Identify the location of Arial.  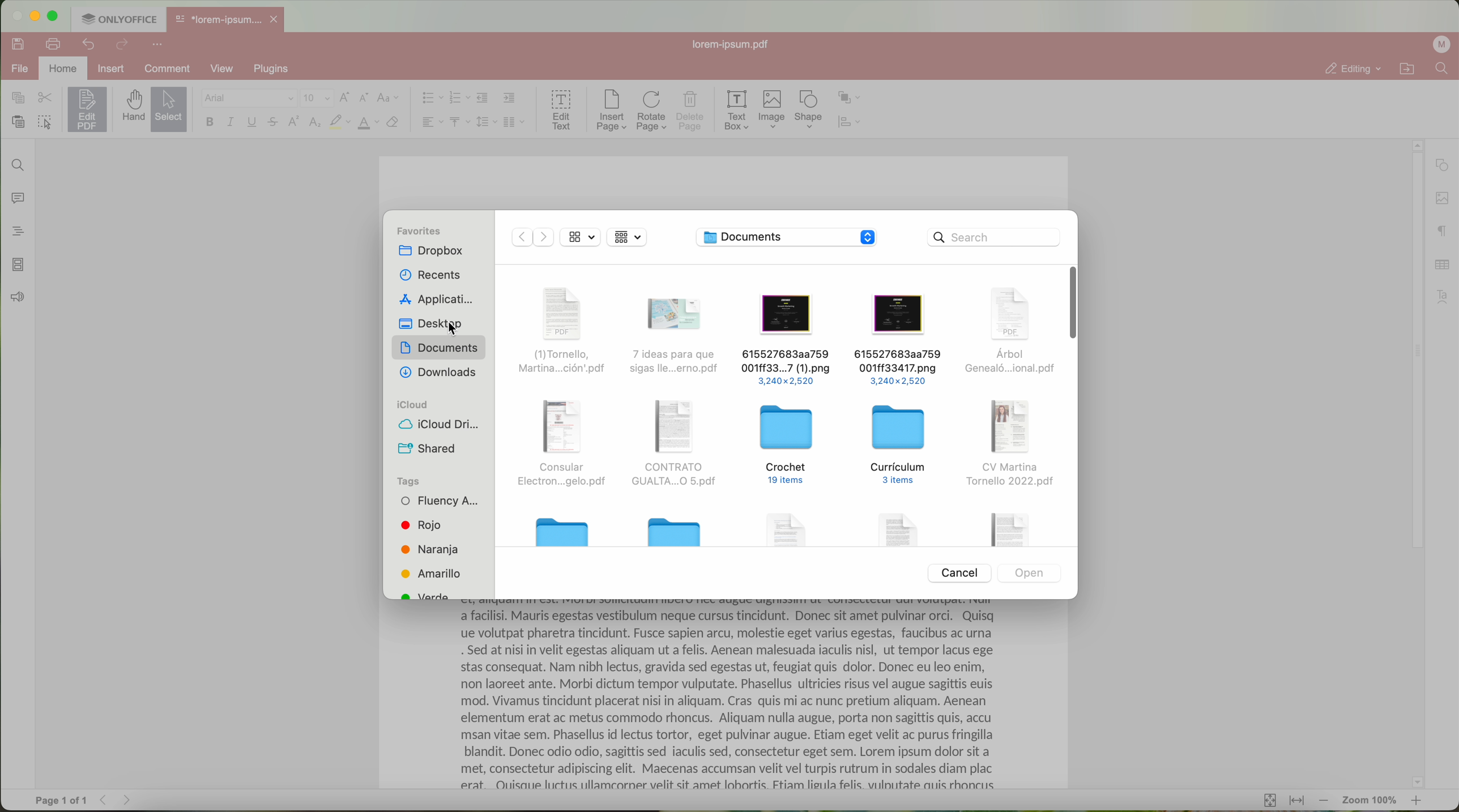
(248, 99).